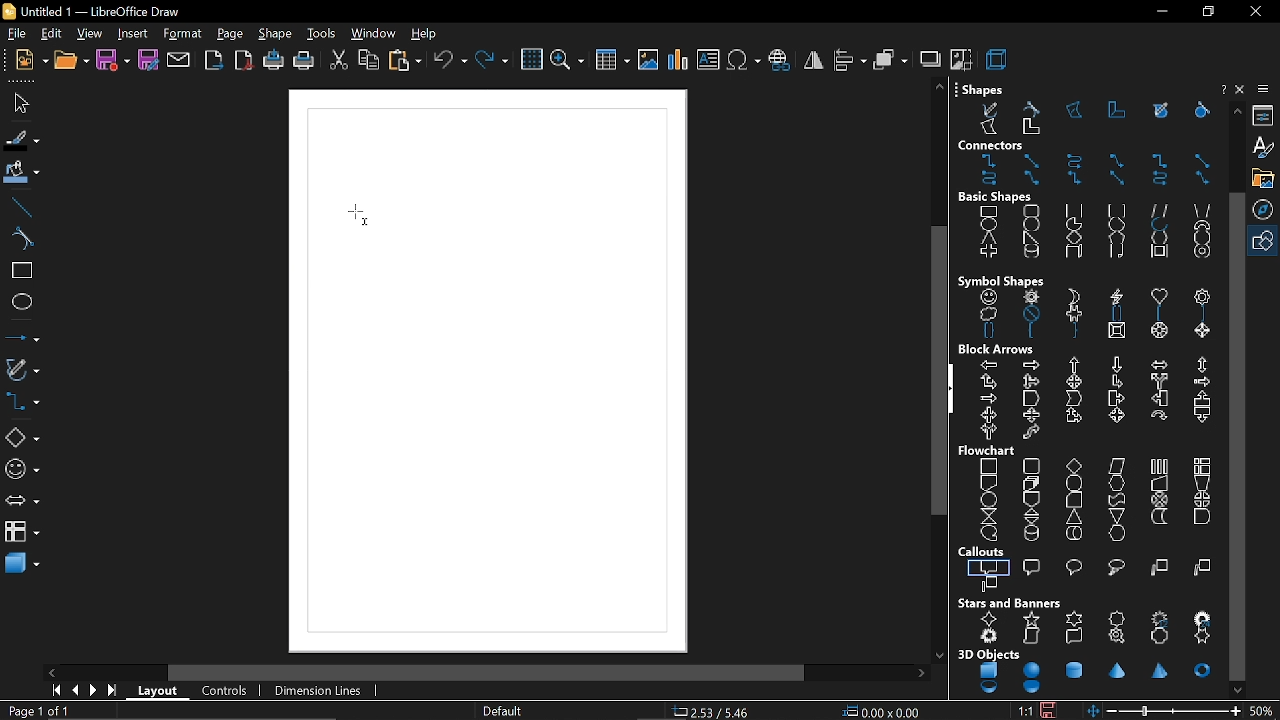 This screenshot has height=720, width=1280. What do you see at coordinates (1029, 465) in the screenshot?
I see `alternate process` at bounding box center [1029, 465].